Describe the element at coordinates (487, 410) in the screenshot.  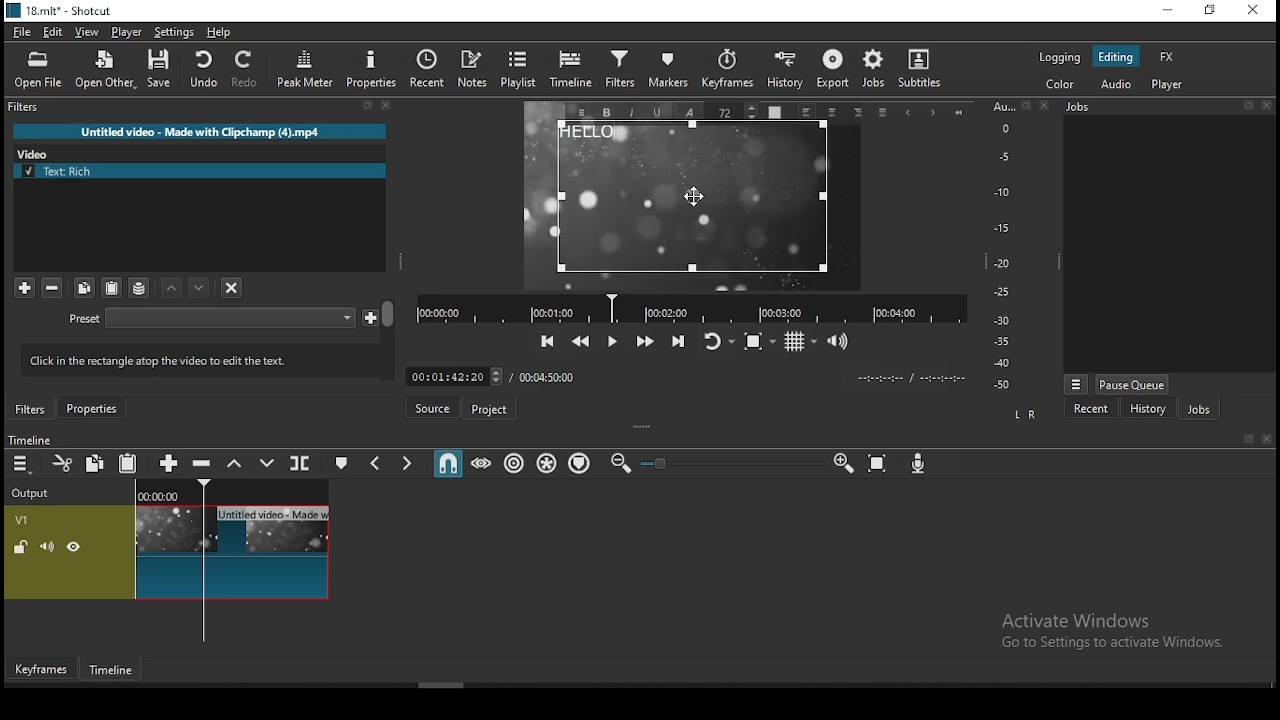
I see `project` at that location.